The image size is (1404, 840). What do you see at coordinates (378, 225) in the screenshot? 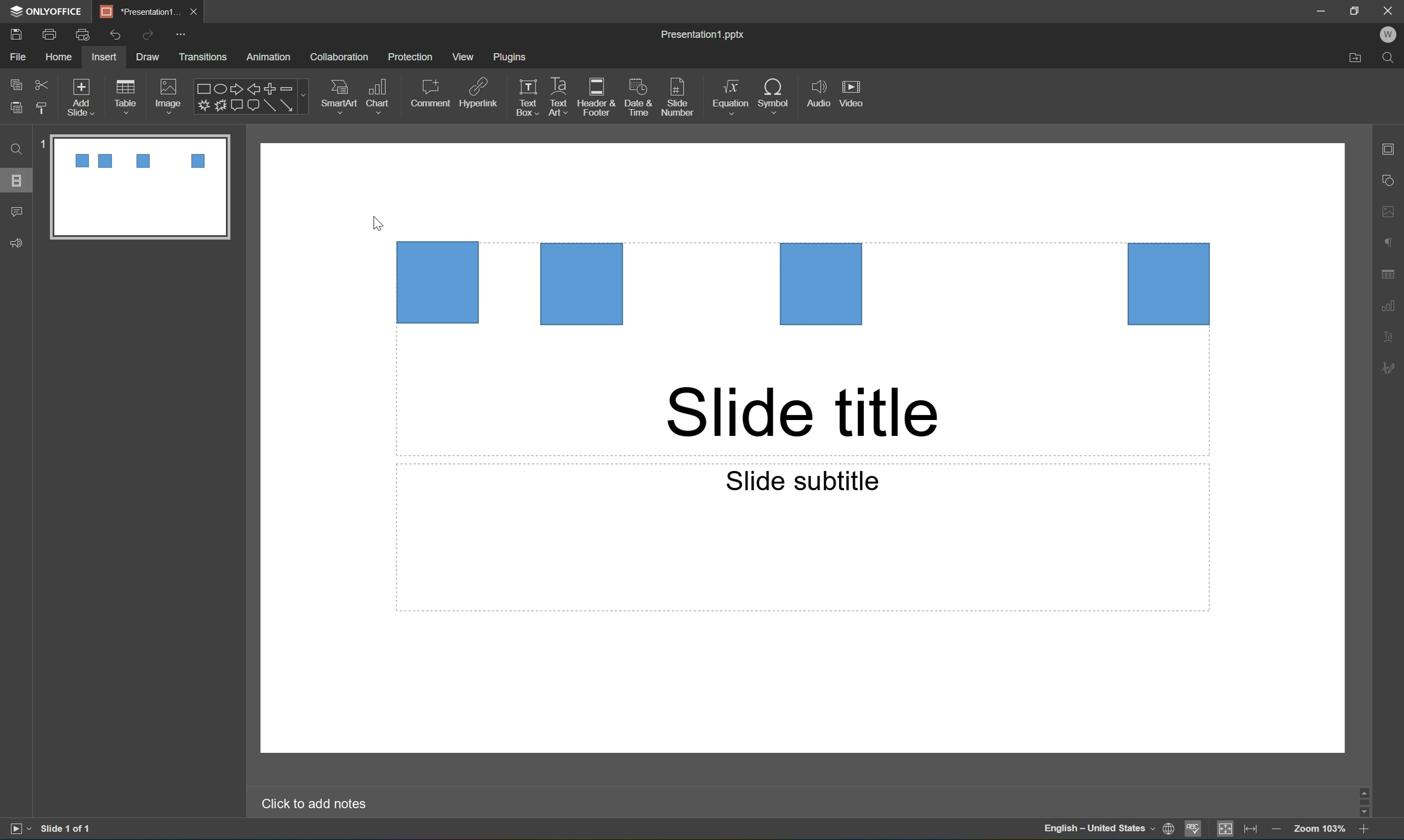
I see `Cursor MOUSE_DOWN` at bounding box center [378, 225].